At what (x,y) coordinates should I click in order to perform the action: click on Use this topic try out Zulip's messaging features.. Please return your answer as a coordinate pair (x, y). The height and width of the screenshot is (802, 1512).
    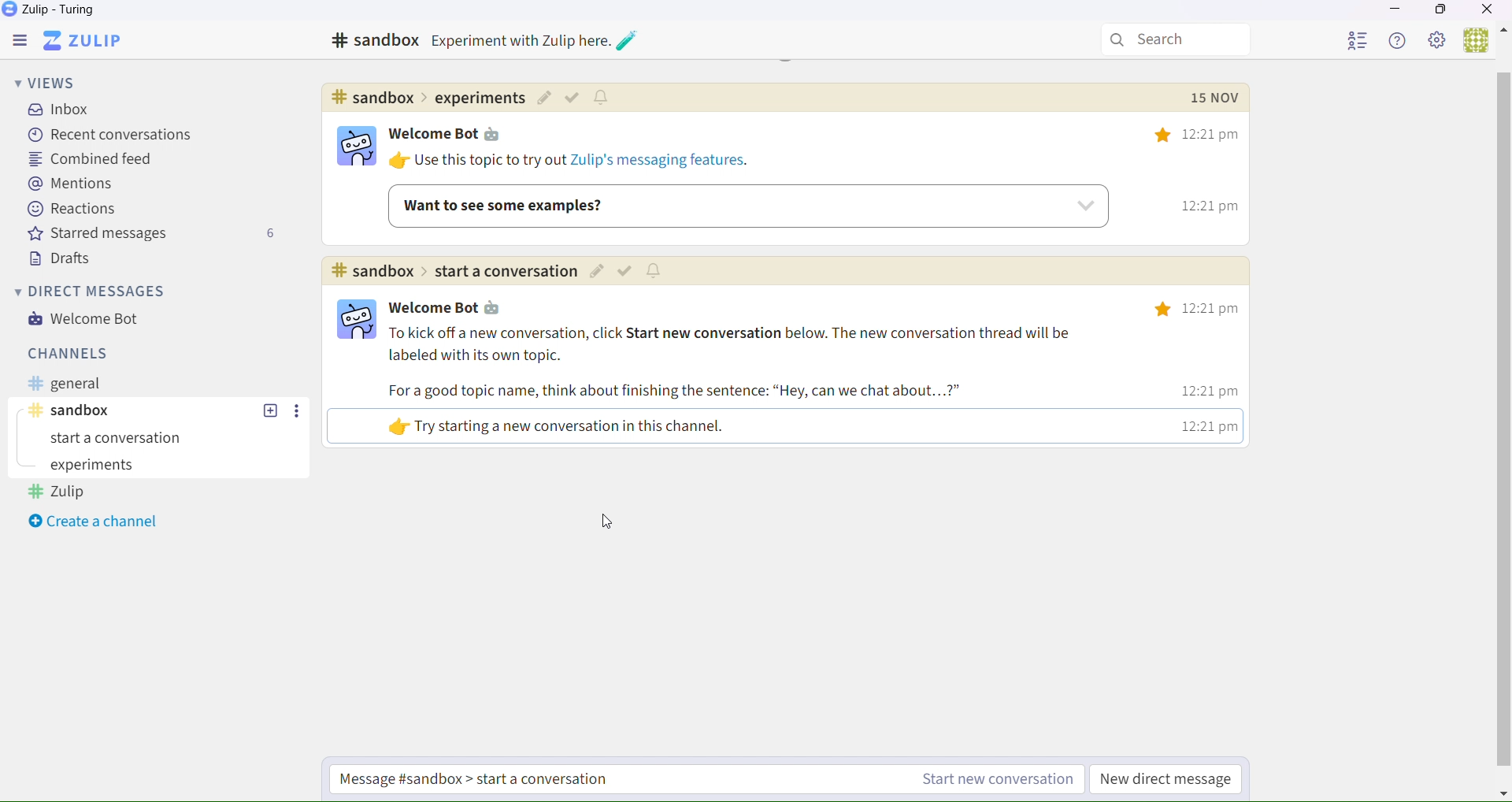
    Looking at the image, I should click on (572, 162).